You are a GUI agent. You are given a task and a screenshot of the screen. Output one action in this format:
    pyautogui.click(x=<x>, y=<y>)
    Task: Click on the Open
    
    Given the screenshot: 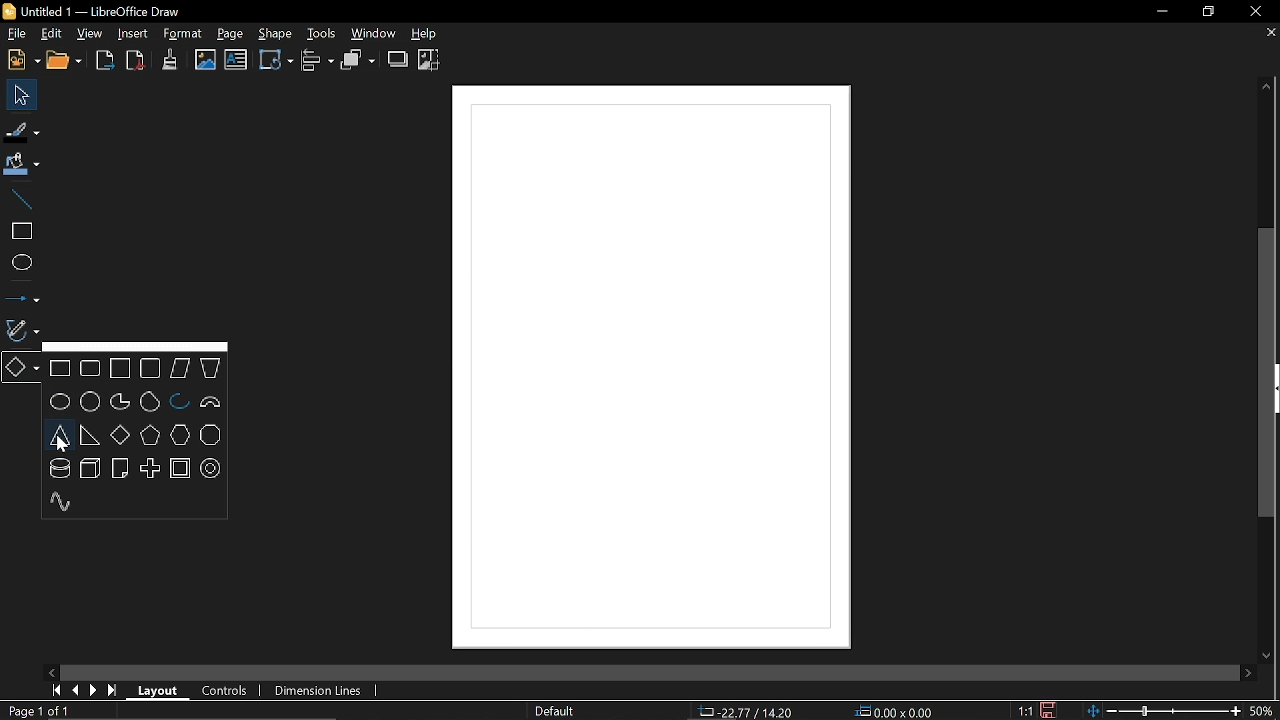 What is the action you would take?
    pyautogui.click(x=68, y=62)
    